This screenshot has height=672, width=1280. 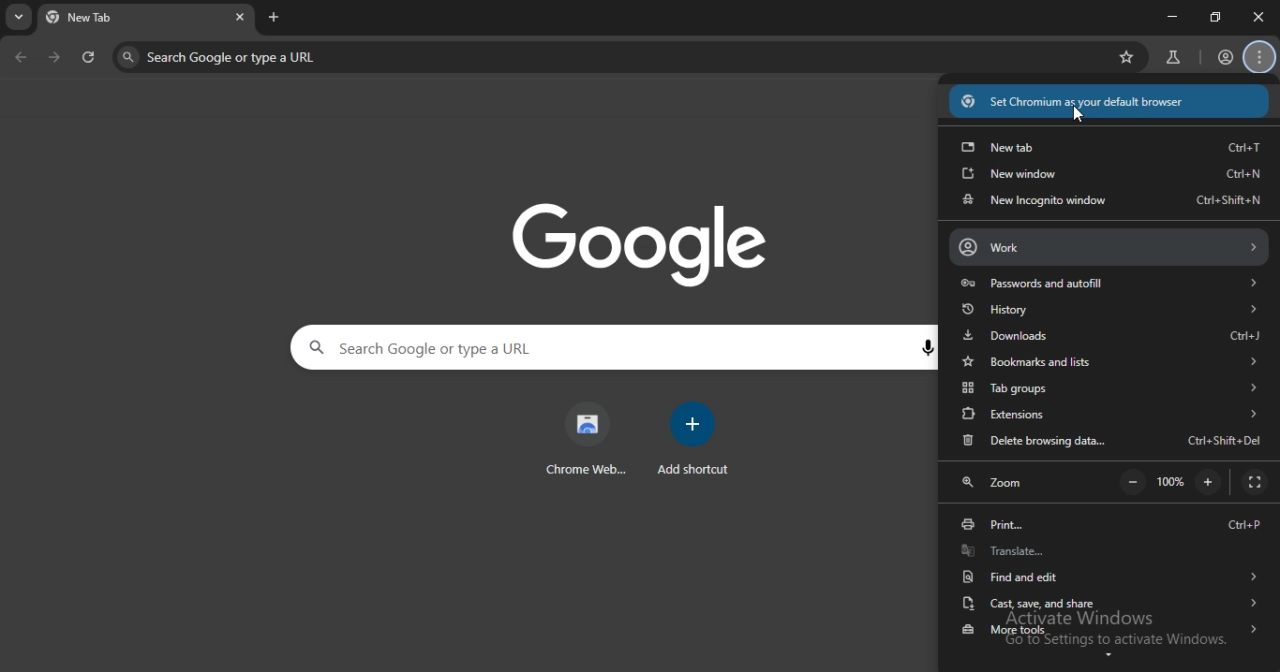 What do you see at coordinates (1109, 310) in the screenshot?
I see `history` at bounding box center [1109, 310].